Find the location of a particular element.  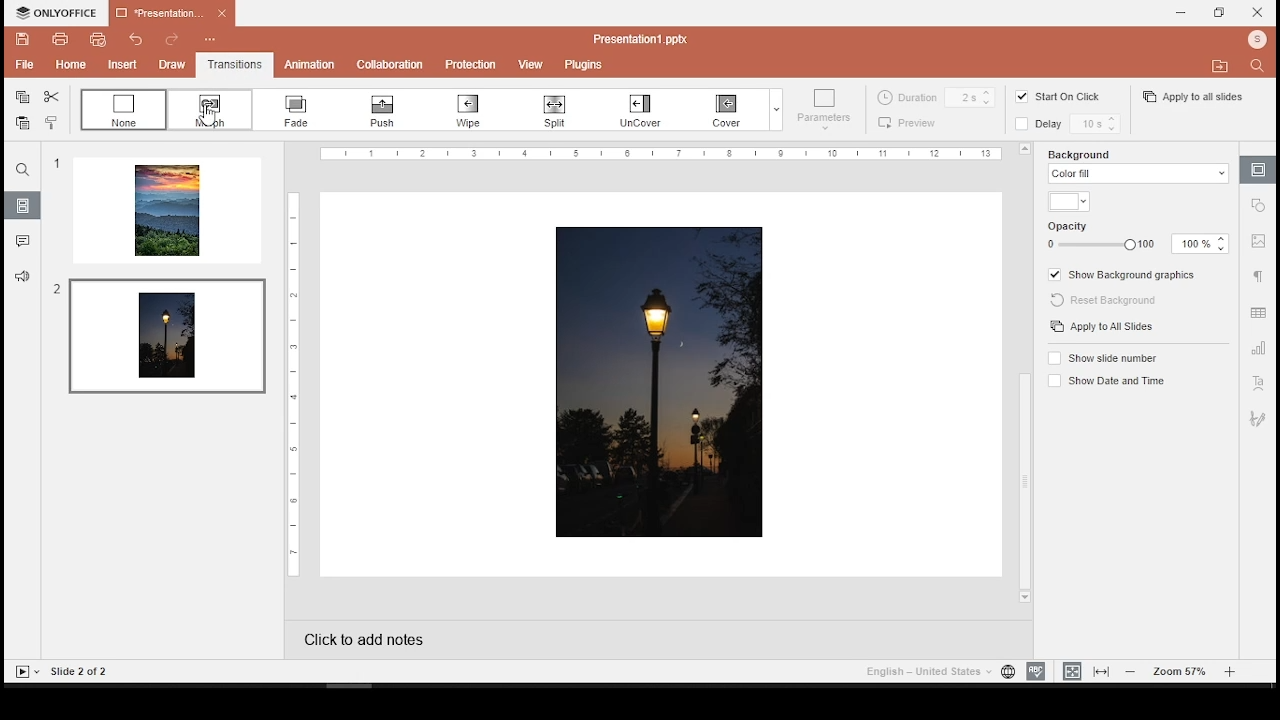

play is located at coordinates (27, 672).